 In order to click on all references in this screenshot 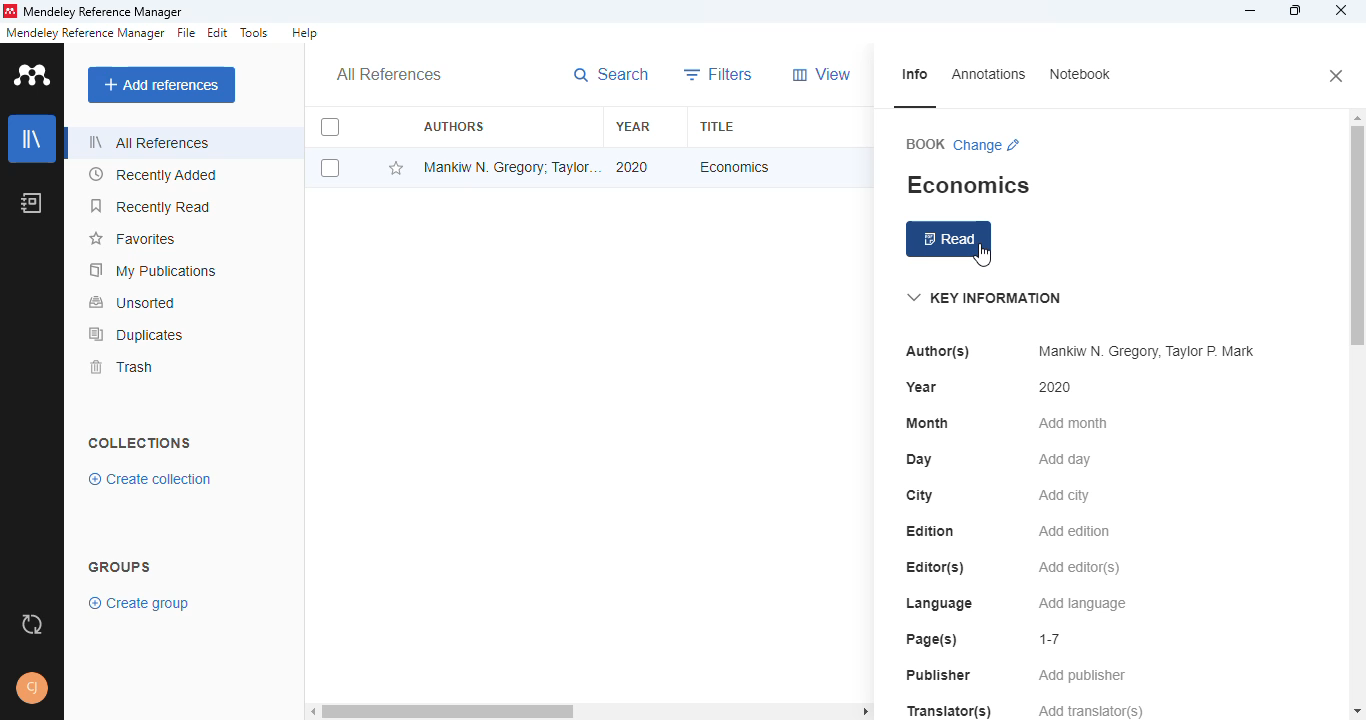, I will do `click(151, 142)`.